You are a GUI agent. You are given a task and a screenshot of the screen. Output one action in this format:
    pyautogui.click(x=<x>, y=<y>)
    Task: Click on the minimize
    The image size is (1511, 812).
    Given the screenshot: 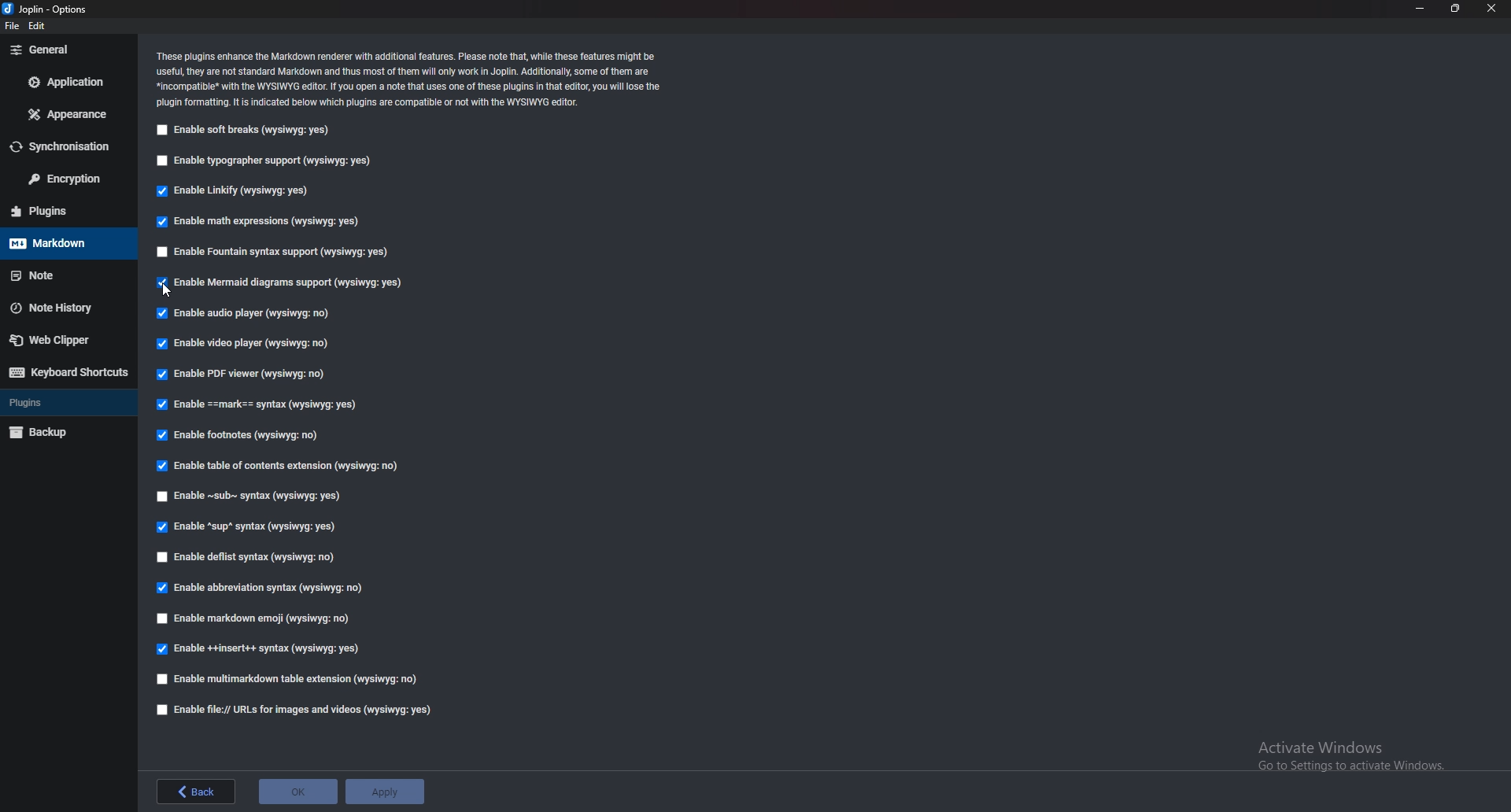 What is the action you would take?
    pyautogui.click(x=1421, y=7)
    